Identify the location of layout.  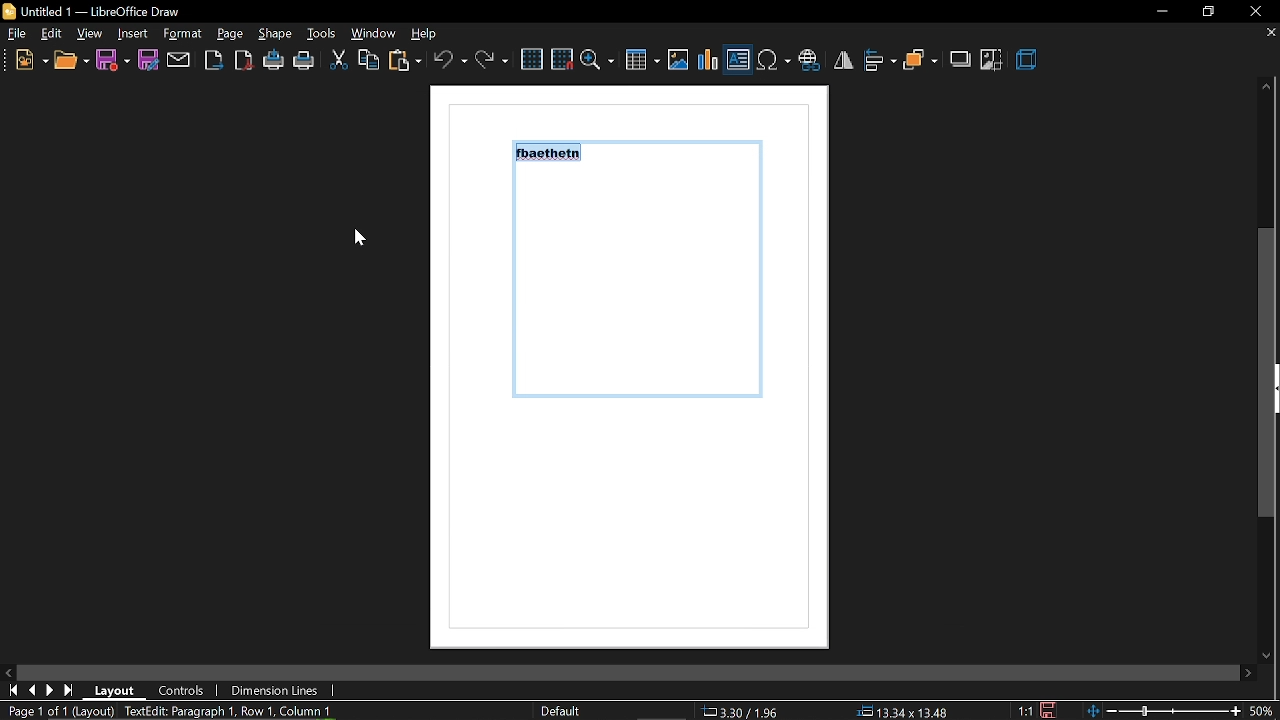
(115, 691).